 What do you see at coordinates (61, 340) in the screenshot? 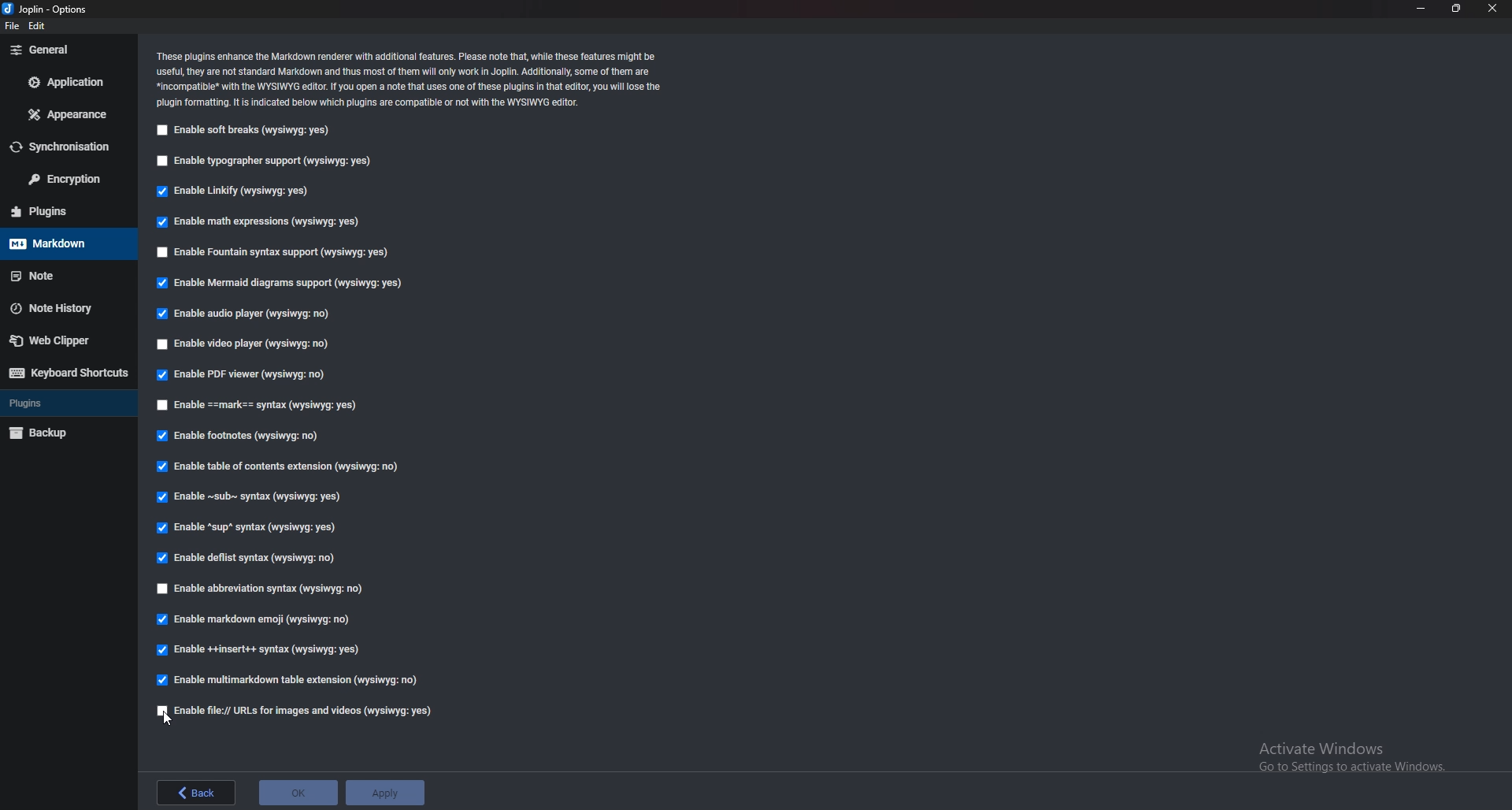
I see `Web Clipper` at bounding box center [61, 340].